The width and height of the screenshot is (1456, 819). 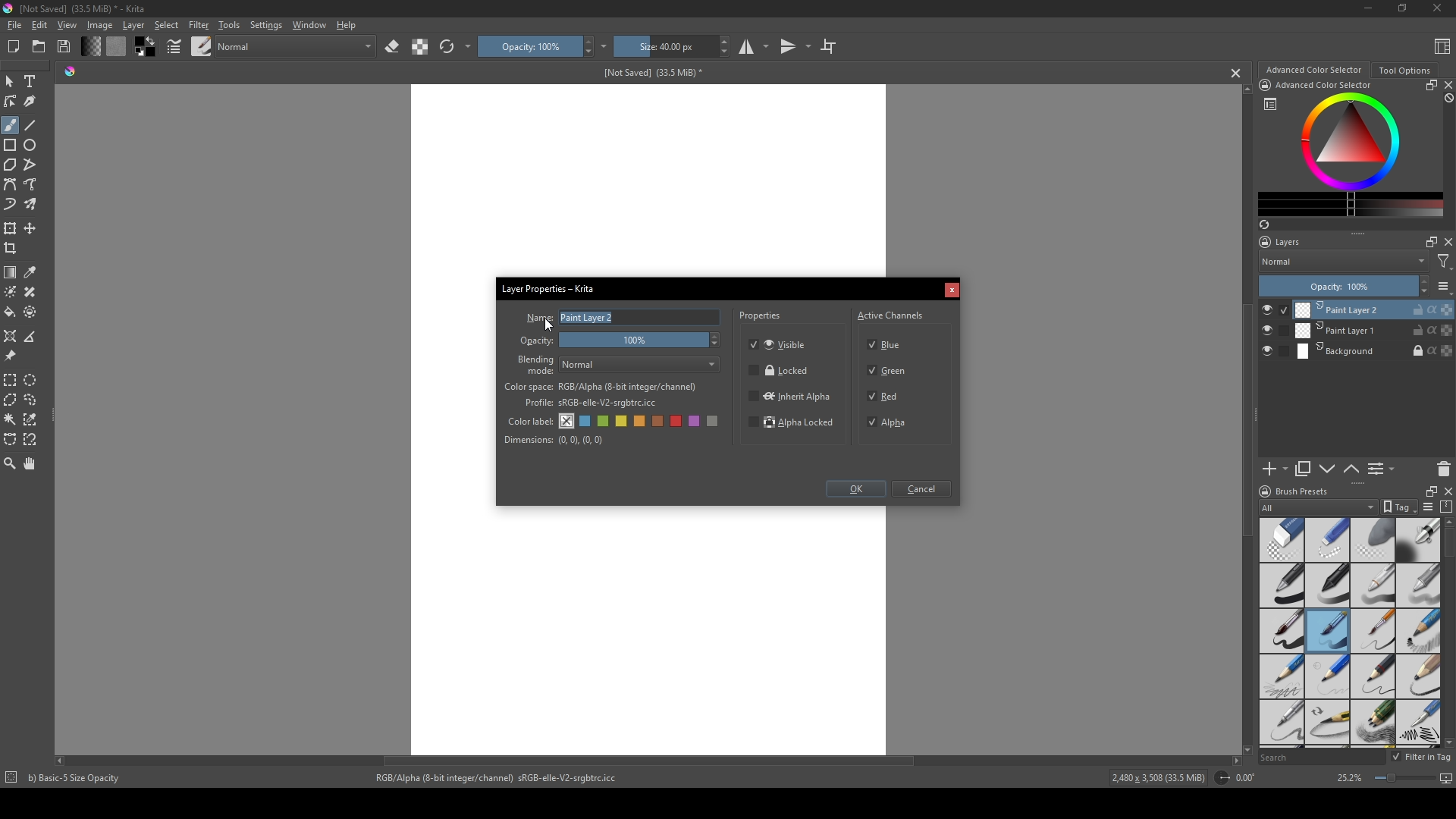 What do you see at coordinates (1373, 632) in the screenshot?
I see `thin brush` at bounding box center [1373, 632].